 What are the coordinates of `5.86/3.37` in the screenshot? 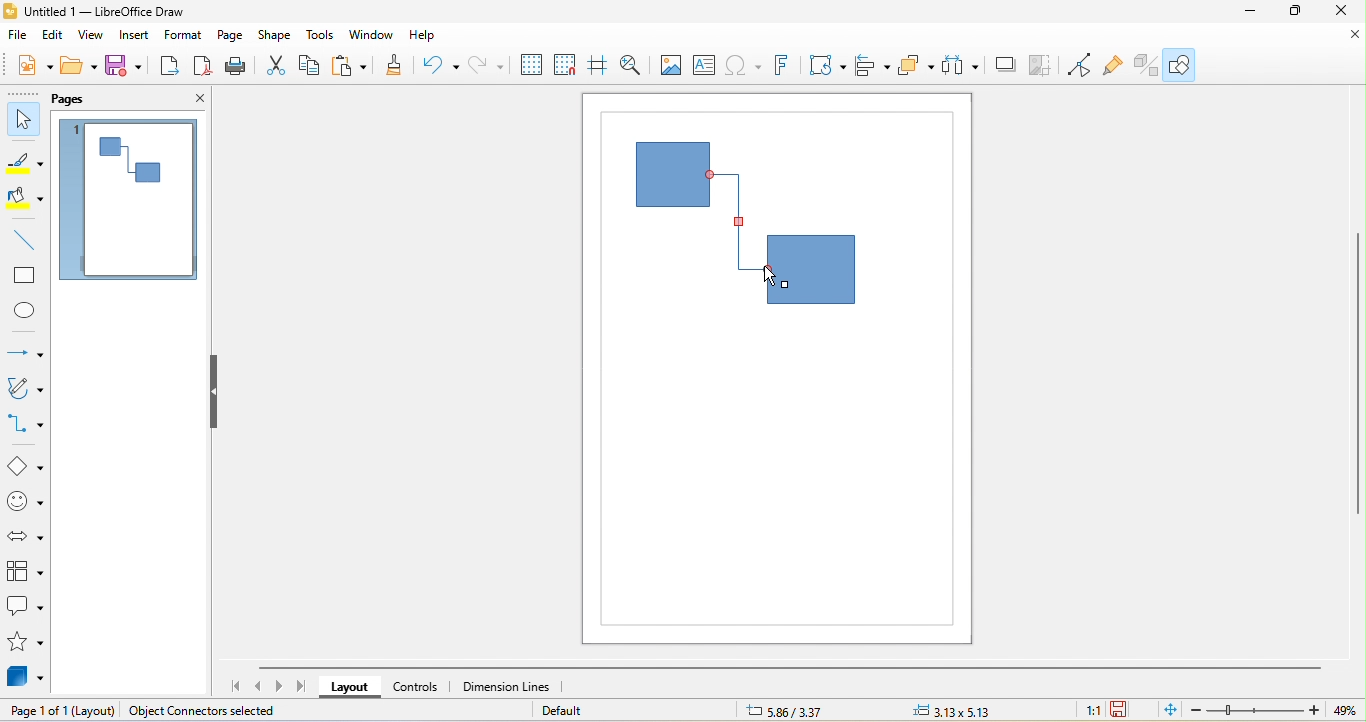 It's located at (788, 711).